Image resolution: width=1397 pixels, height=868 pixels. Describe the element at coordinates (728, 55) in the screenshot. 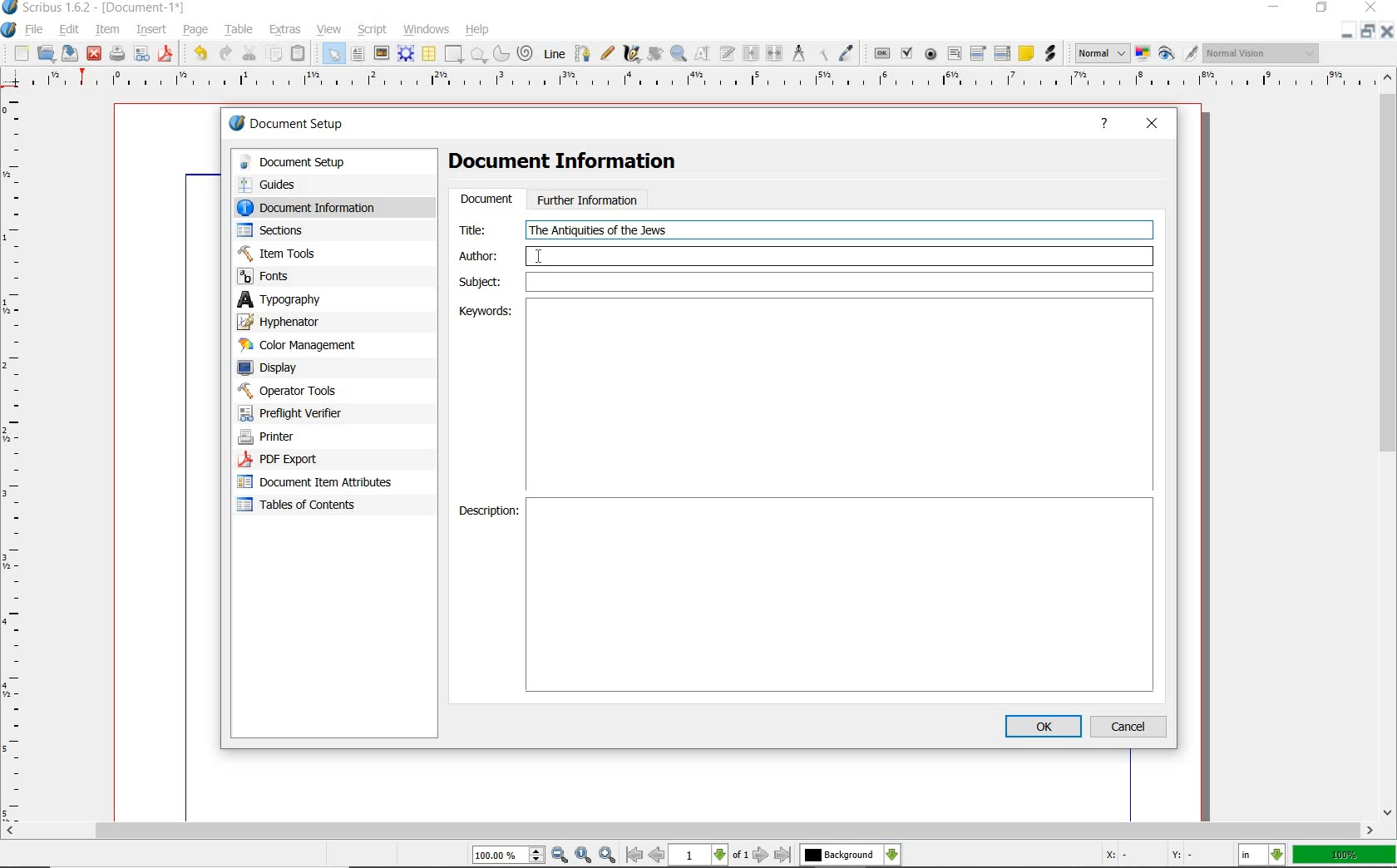

I see `edit text with story editor` at that location.